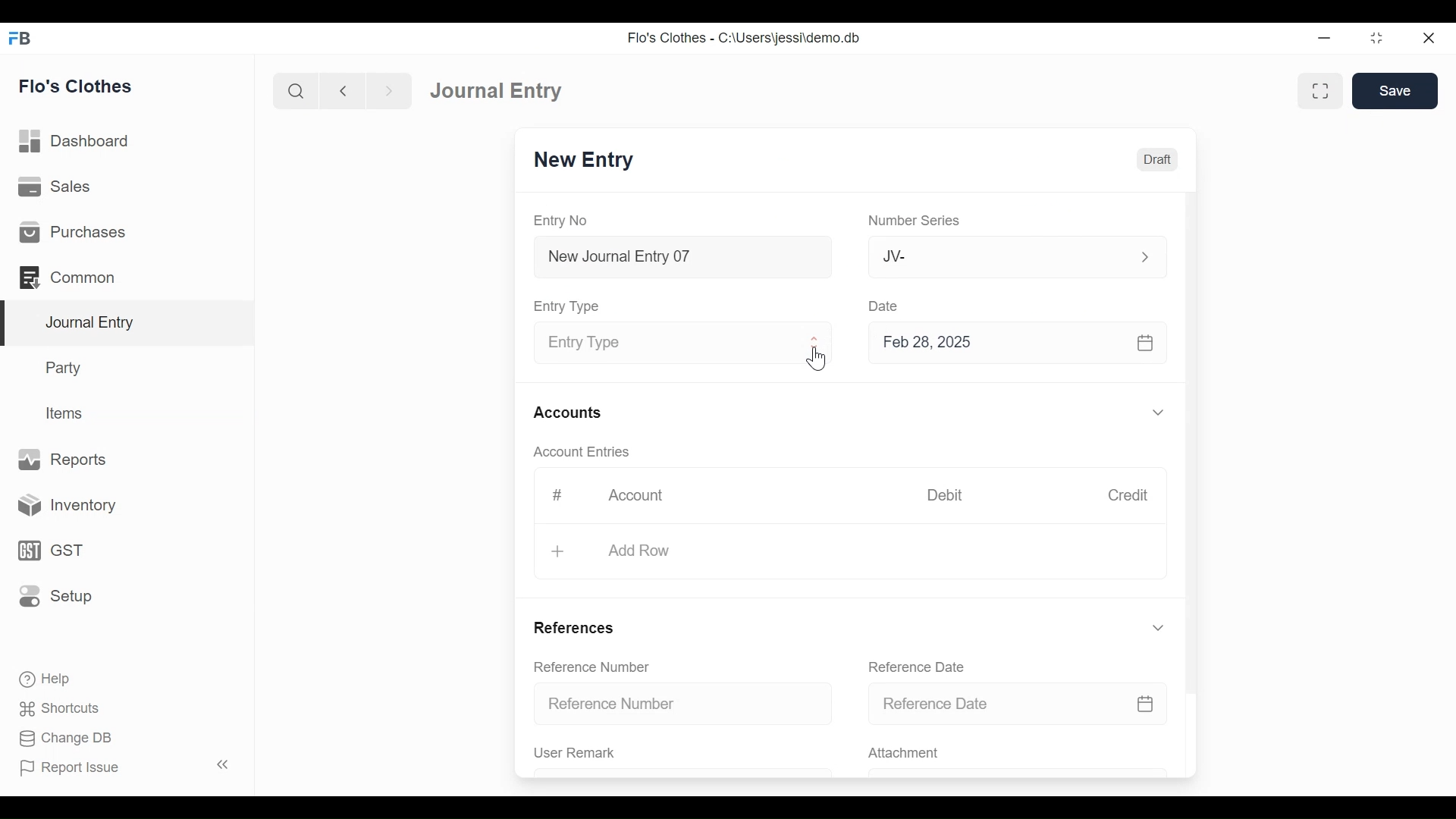  Describe the element at coordinates (69, 767) in the screenshot. I see `Report Issue` at that location.